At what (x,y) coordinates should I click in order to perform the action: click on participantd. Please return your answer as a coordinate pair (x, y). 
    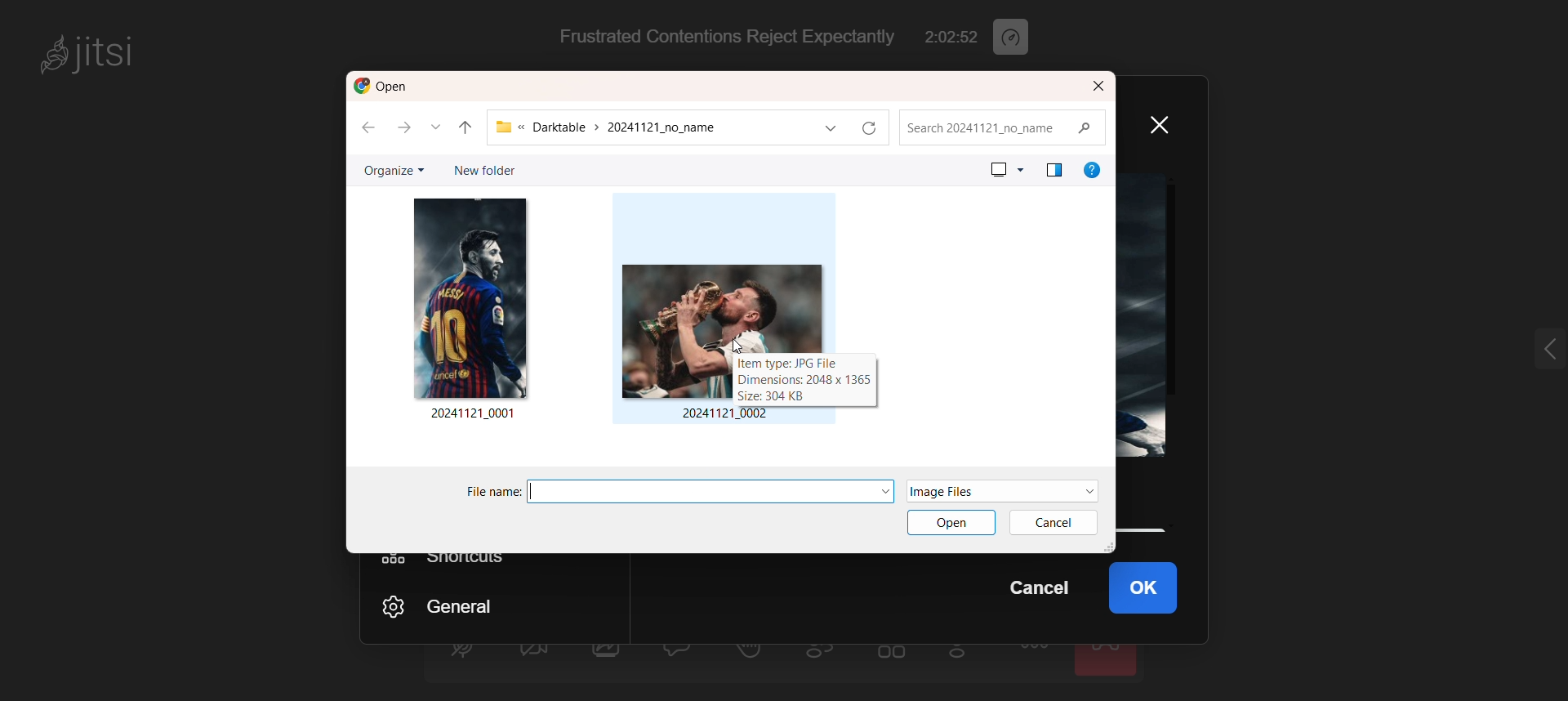
    Looking at the image, I should click on (827, 656).